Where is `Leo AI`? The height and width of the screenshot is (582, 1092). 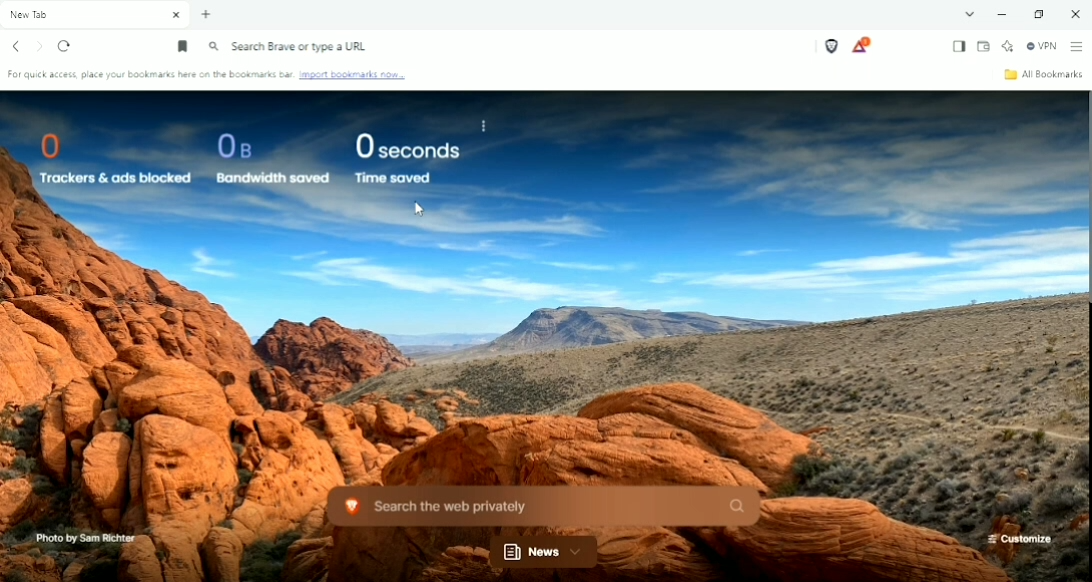 Leo AI is located at coordinates (1008, 45).